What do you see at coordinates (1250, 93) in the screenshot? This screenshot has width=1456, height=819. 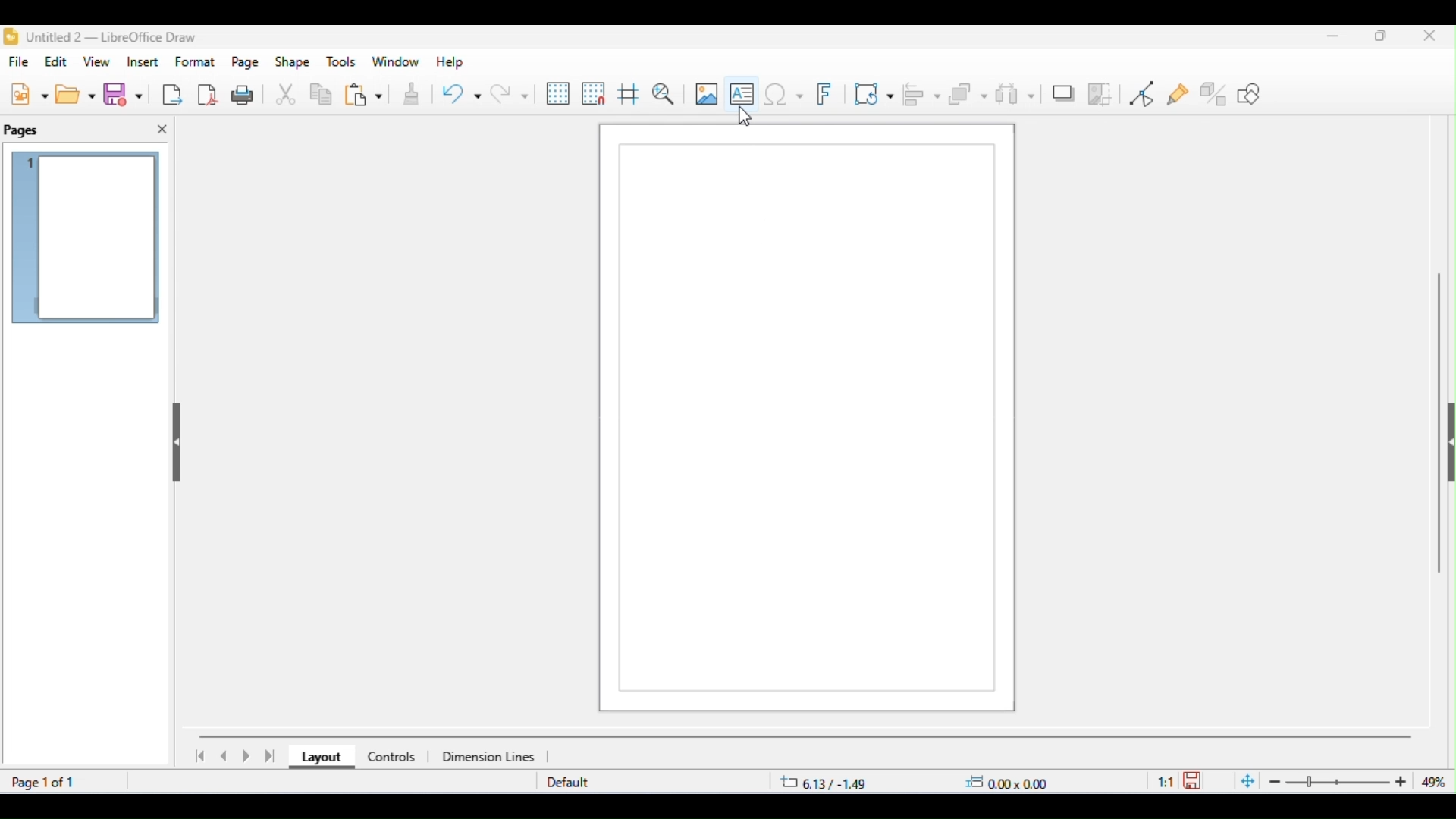 I see `how draw functions` at bounding box center [1250, 93].